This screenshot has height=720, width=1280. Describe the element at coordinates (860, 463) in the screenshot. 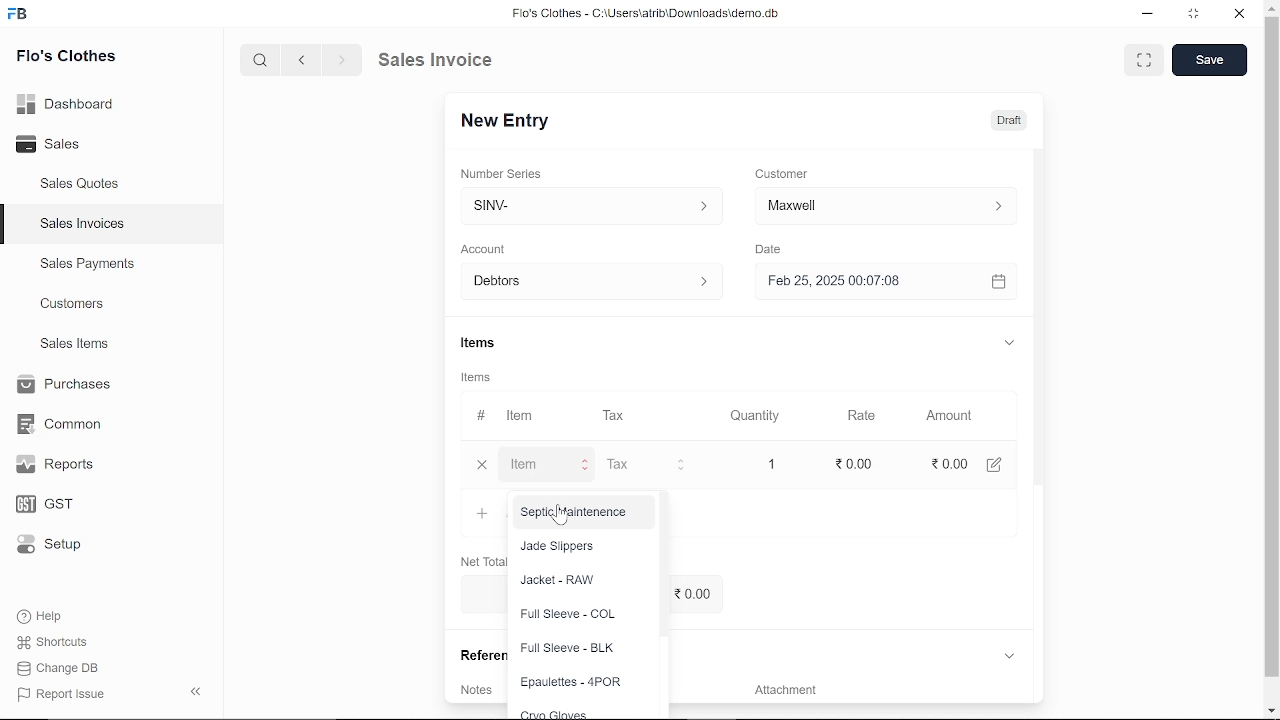

I see `edit rate` at that location.